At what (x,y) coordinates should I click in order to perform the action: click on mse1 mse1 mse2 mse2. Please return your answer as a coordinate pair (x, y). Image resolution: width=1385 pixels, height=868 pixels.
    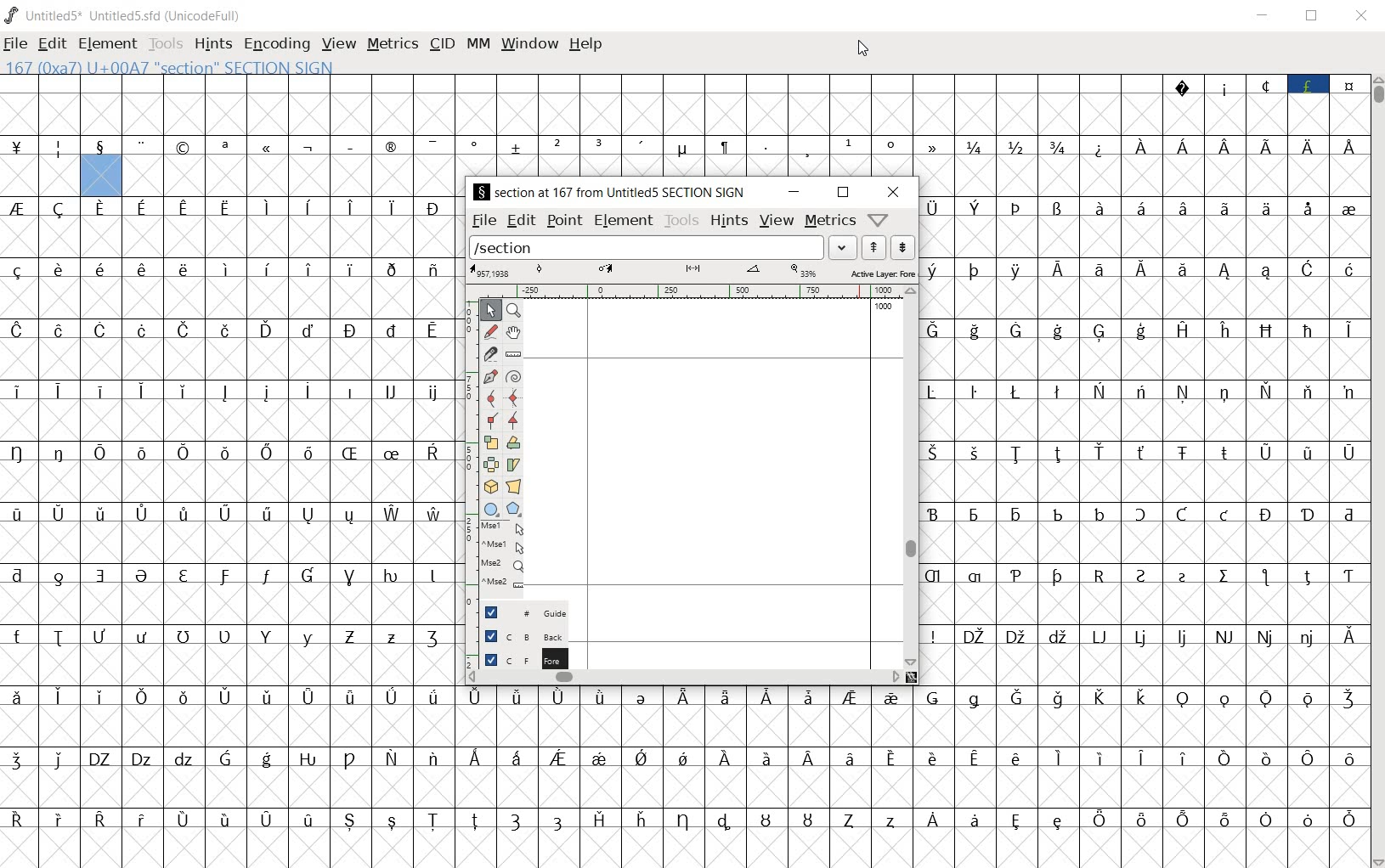
    Looking at the image, I should click on (506, 559).